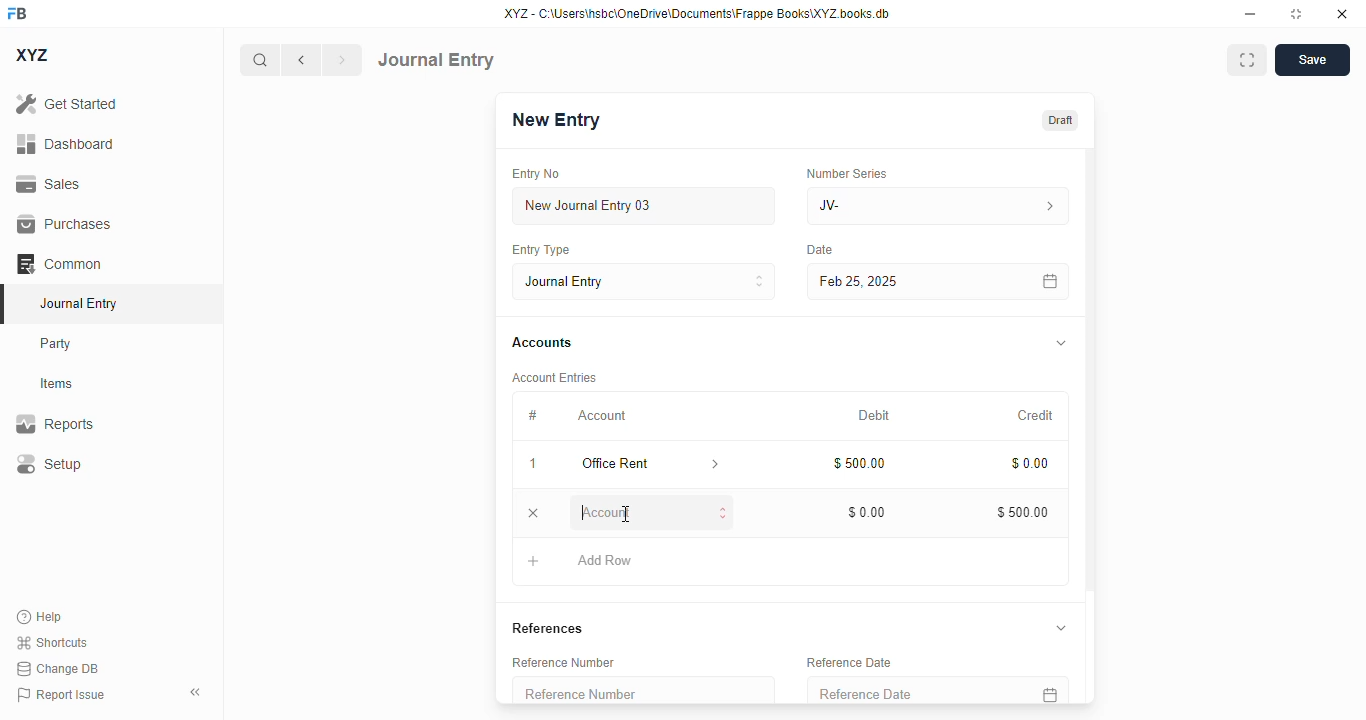 The width and height of the screenshot is (1366, 720). Describe the element at coordinates (548, 628) in the screenshot. I see `references` at that location.